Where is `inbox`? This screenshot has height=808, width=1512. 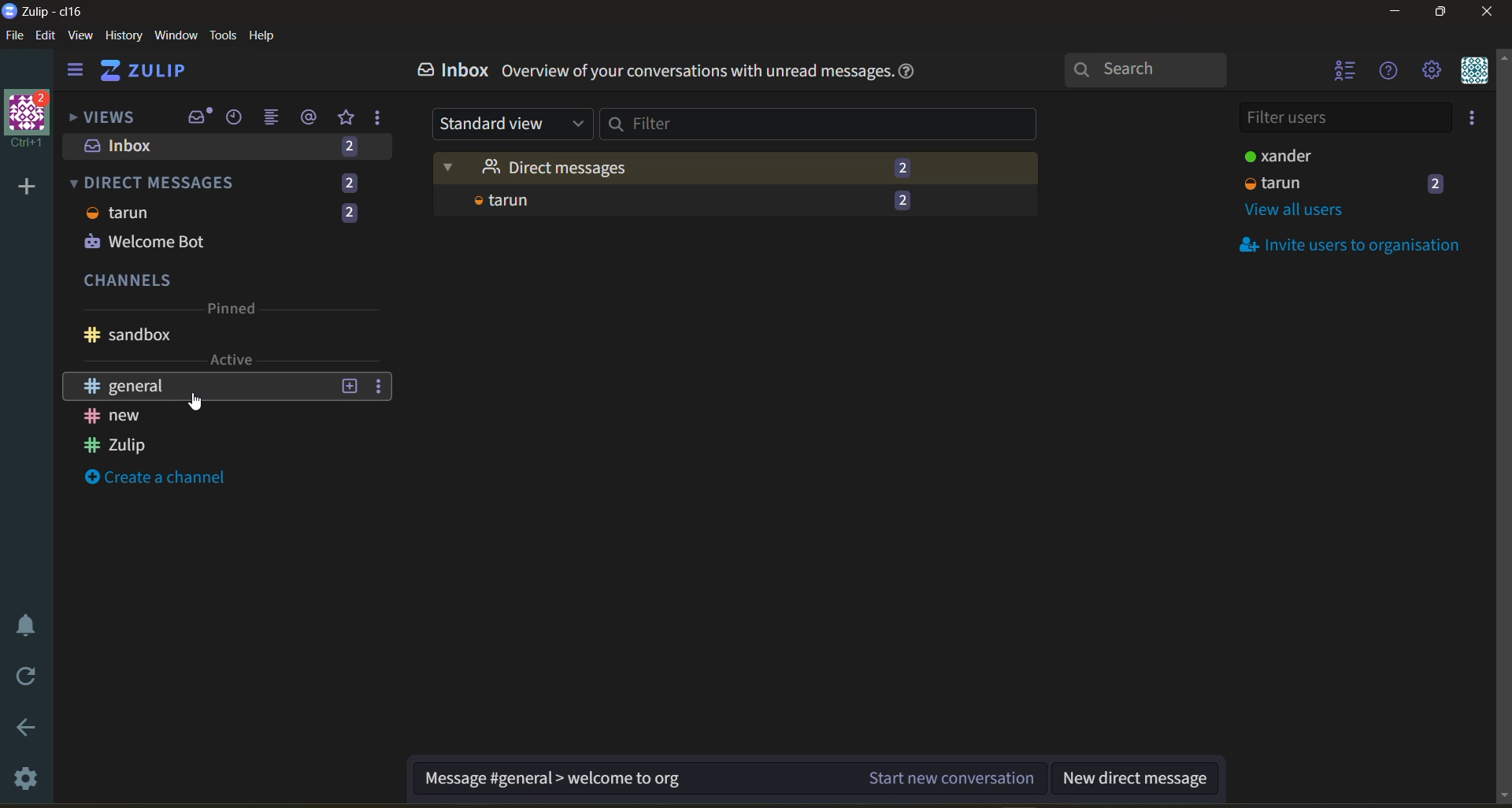
inbox is located at coordinates (456, 72).